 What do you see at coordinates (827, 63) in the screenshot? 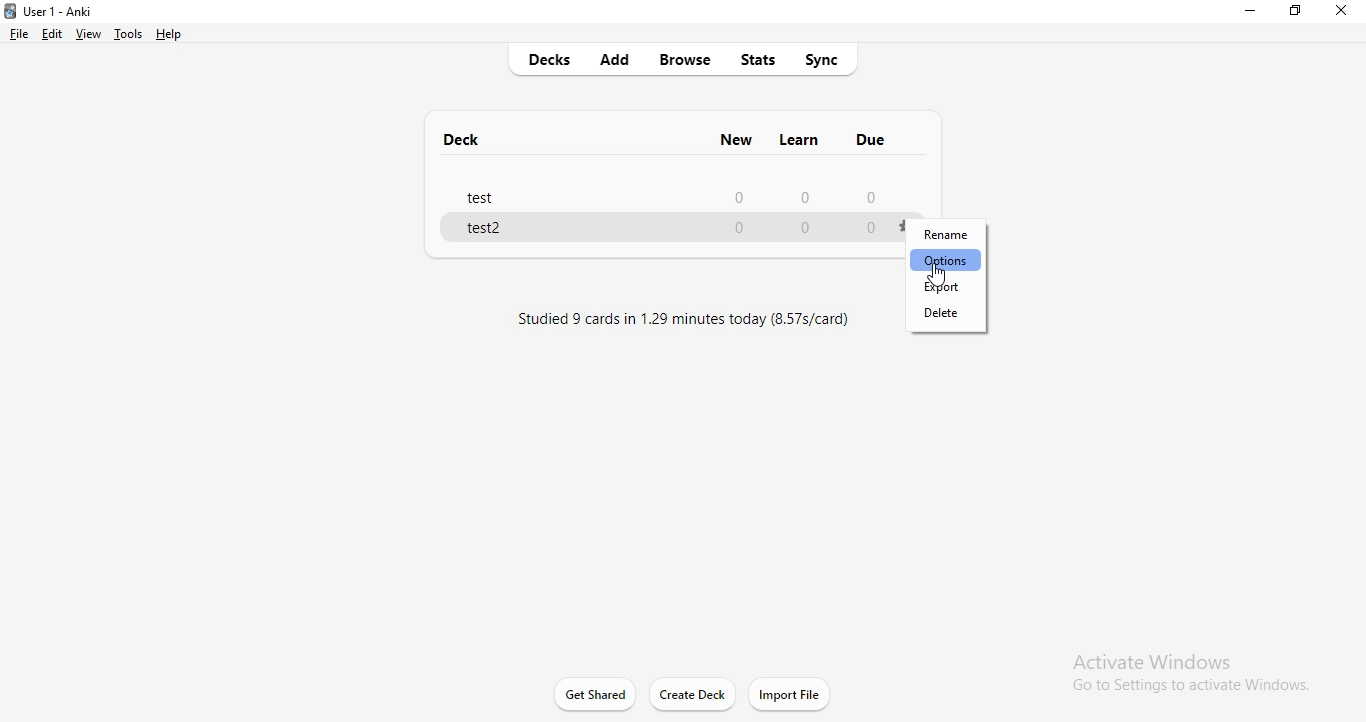
I see `sync` at bounding box center [827, 63].